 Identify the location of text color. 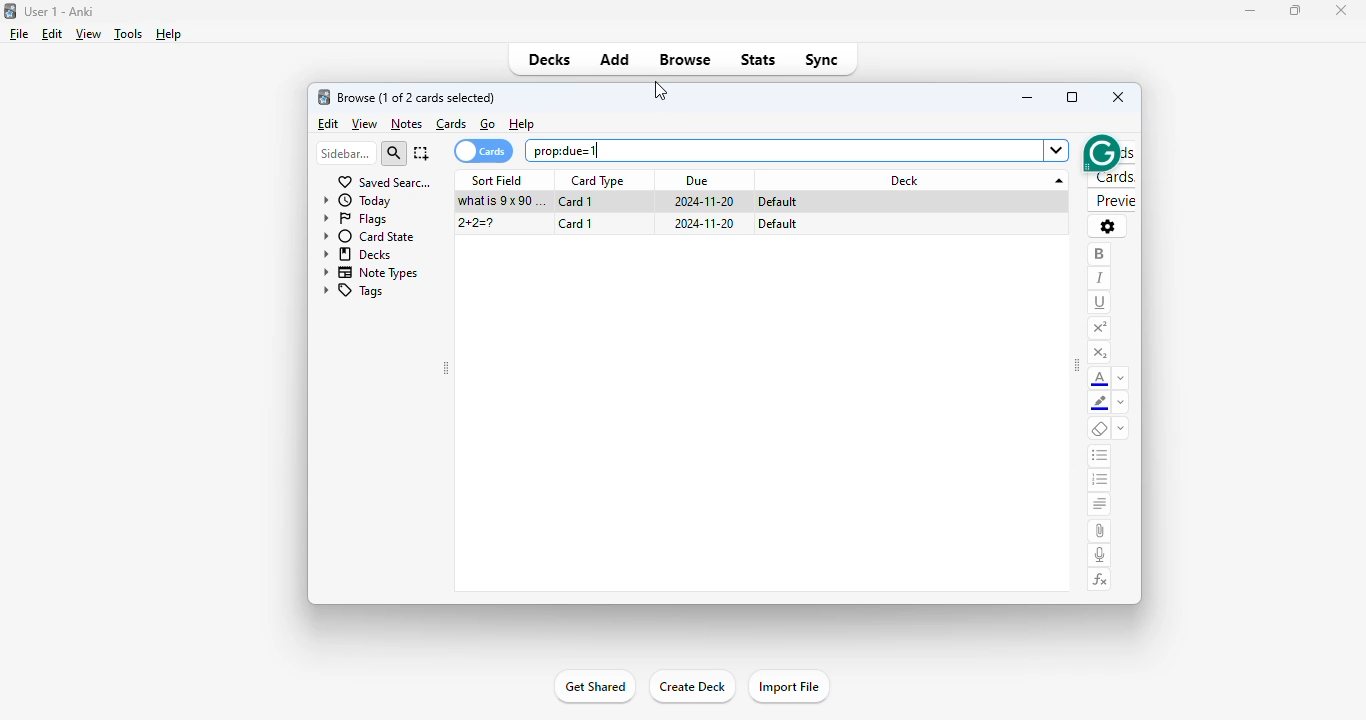
(1100, 379).